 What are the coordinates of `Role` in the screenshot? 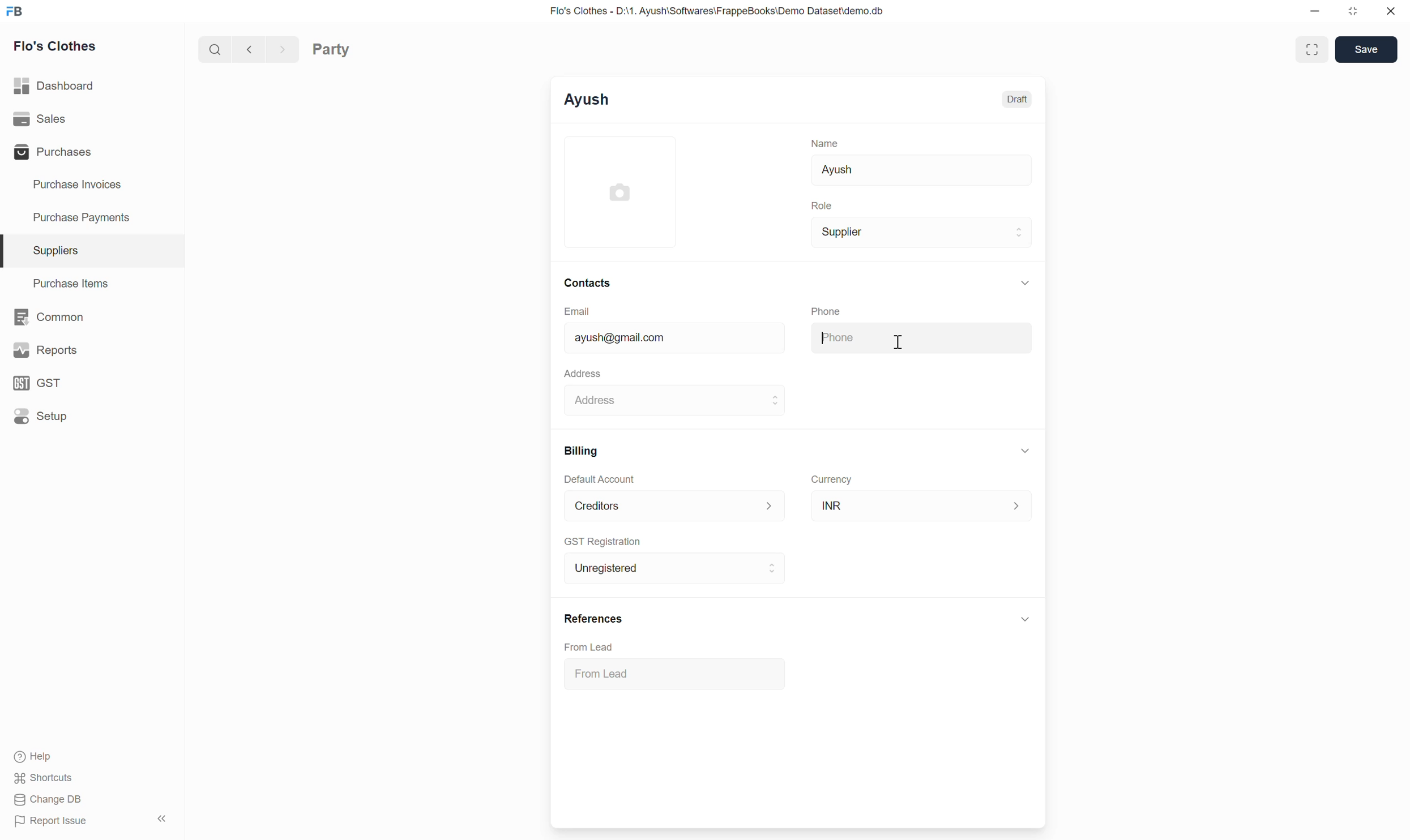 It's located at (822, 205).